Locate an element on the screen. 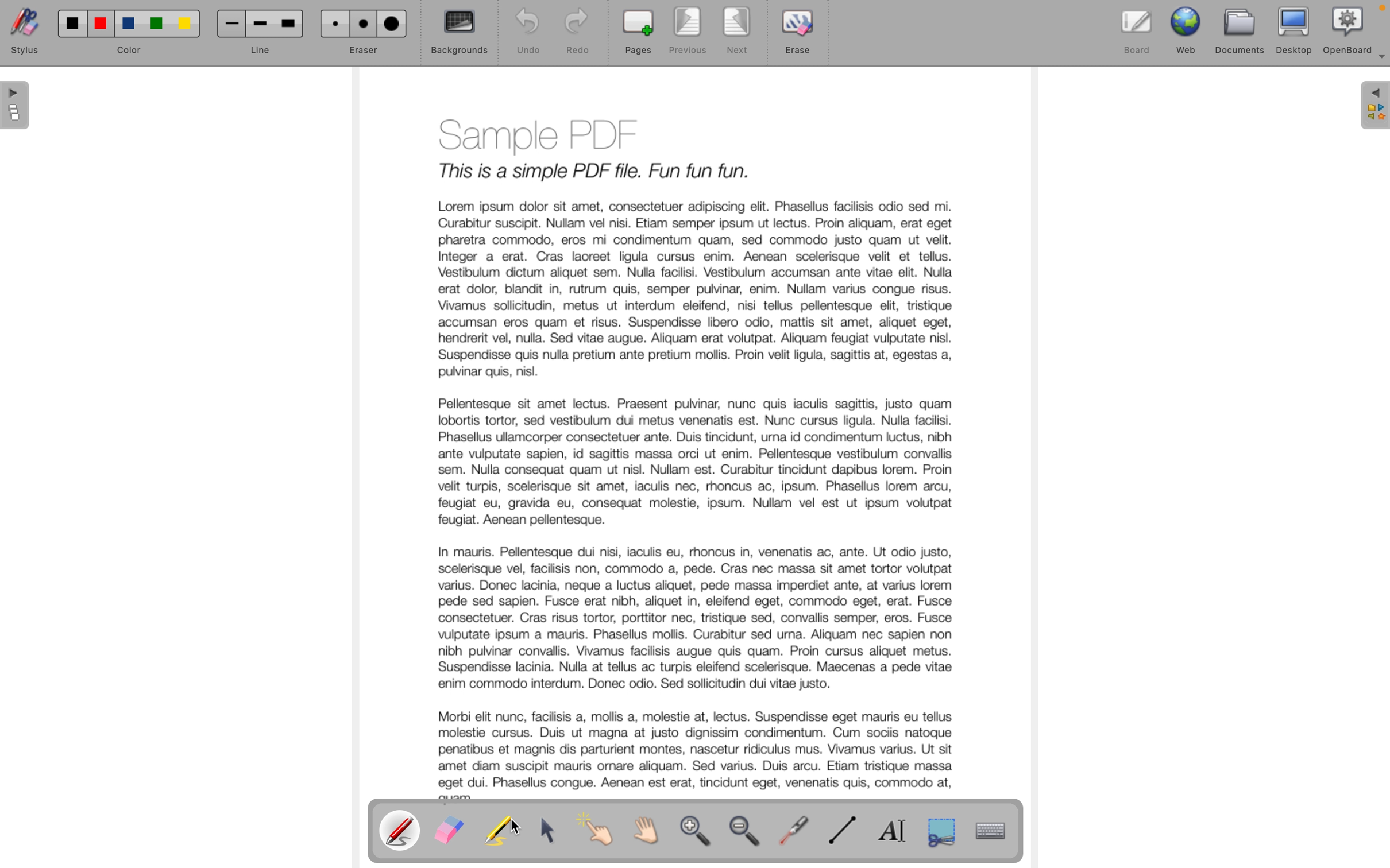 This screenshot has width=1390, height=868. pages is located at coordinates (17, 107).